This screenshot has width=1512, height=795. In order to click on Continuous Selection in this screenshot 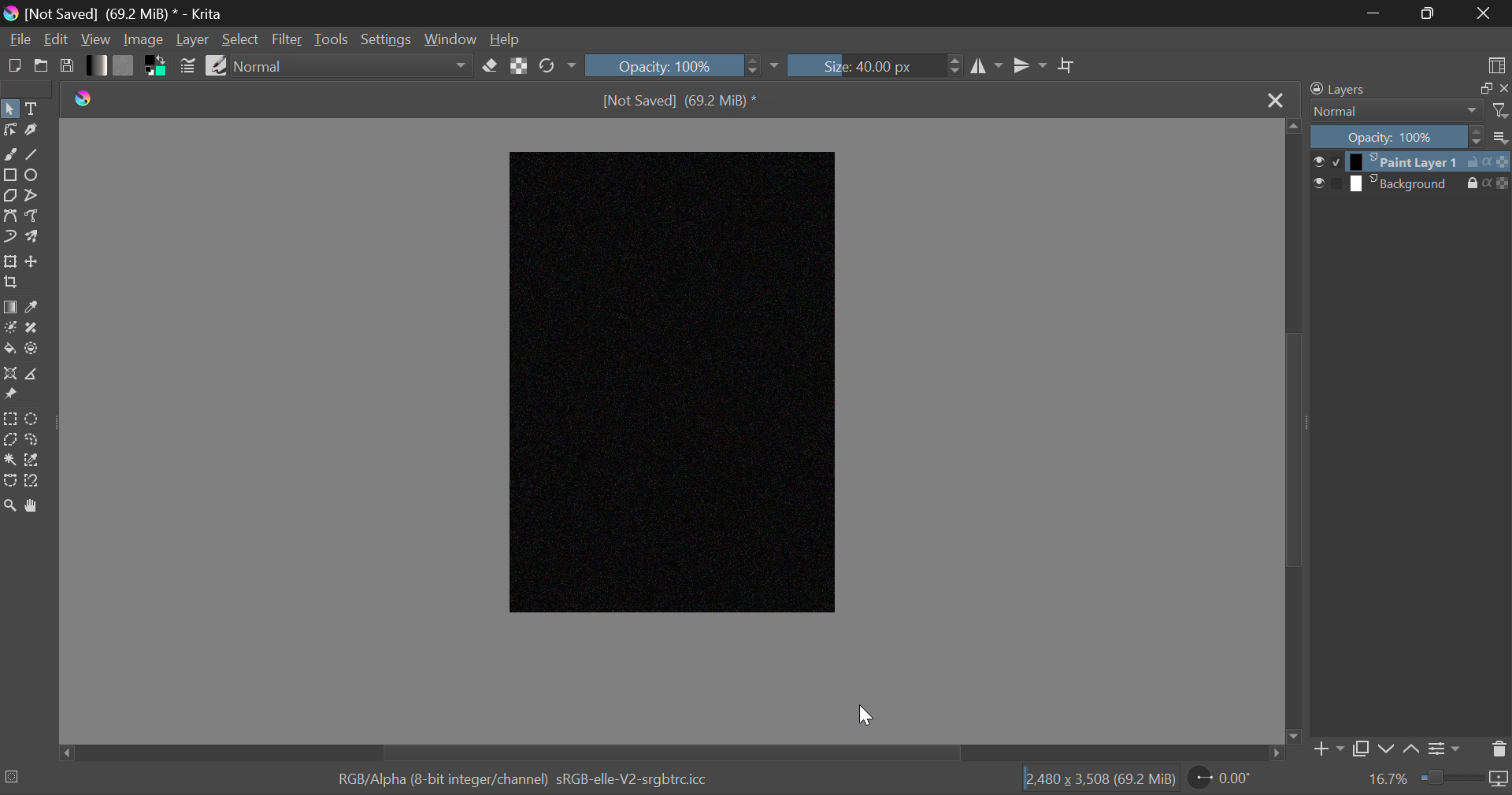, I will do `click(11, 461)`.